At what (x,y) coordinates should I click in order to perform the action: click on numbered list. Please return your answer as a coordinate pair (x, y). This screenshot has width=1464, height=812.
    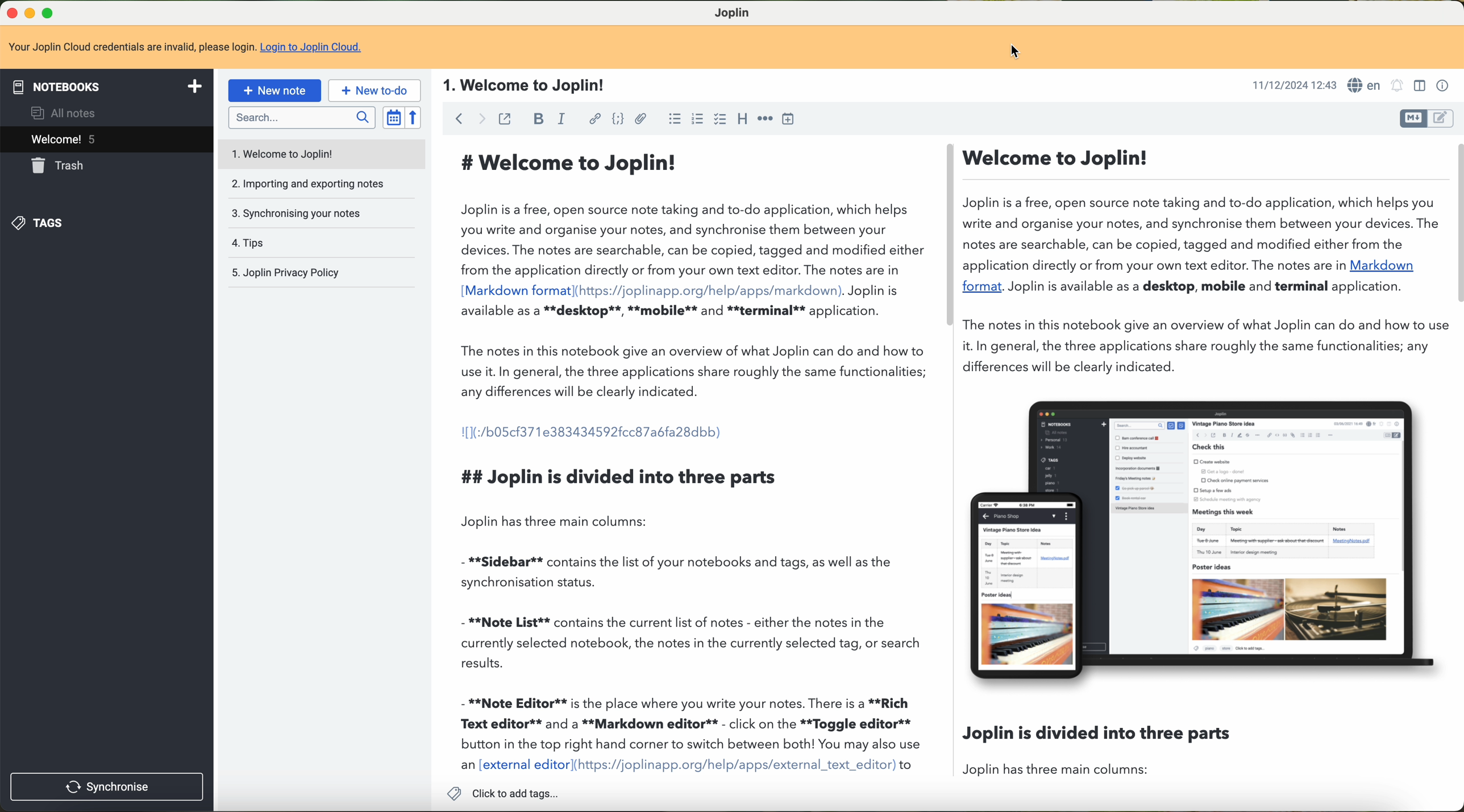
    Looking at the image, I should click on (698, 119).